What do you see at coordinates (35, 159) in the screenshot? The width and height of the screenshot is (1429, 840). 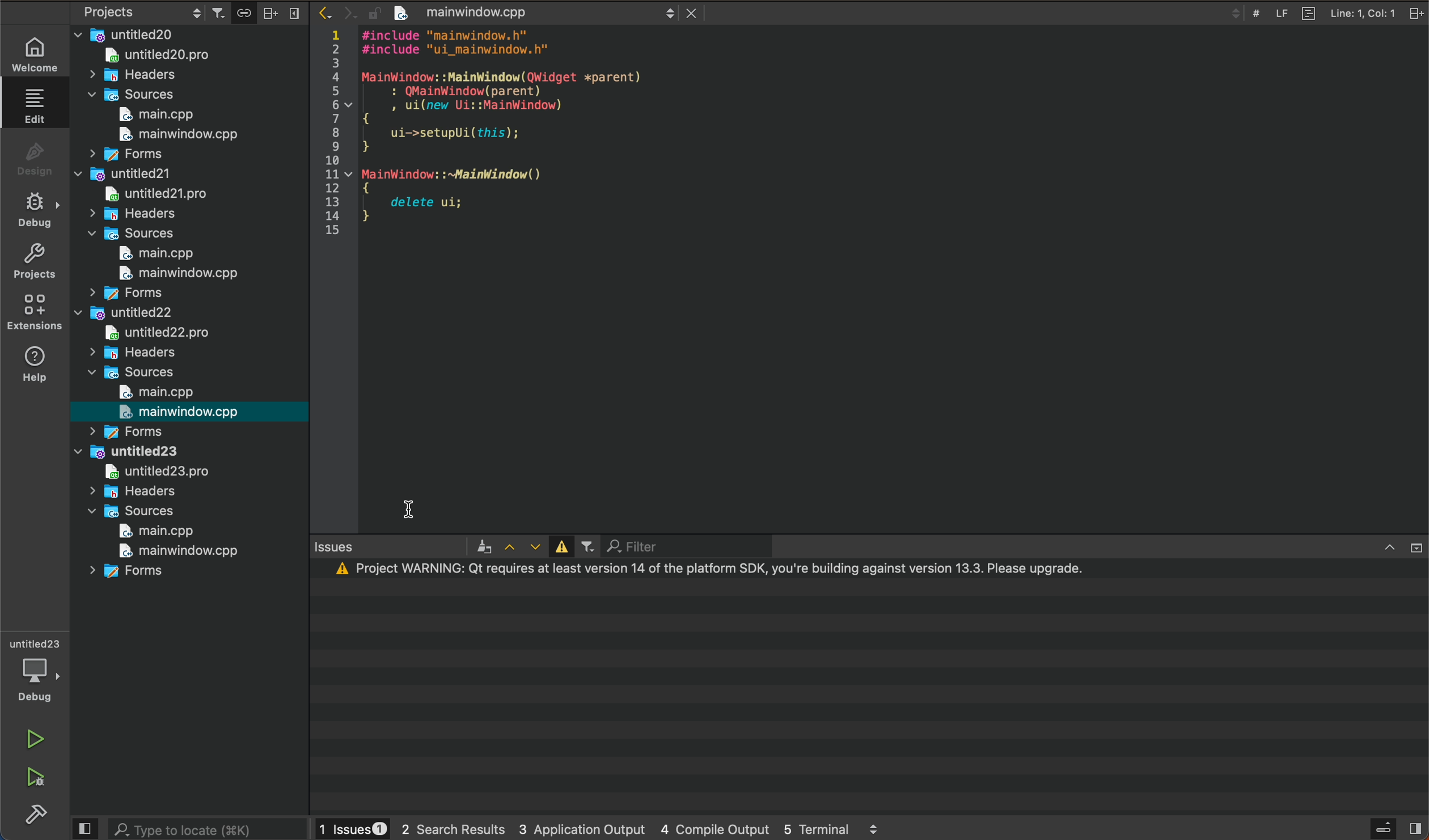 I see `design` at bounding box center [35, 159].